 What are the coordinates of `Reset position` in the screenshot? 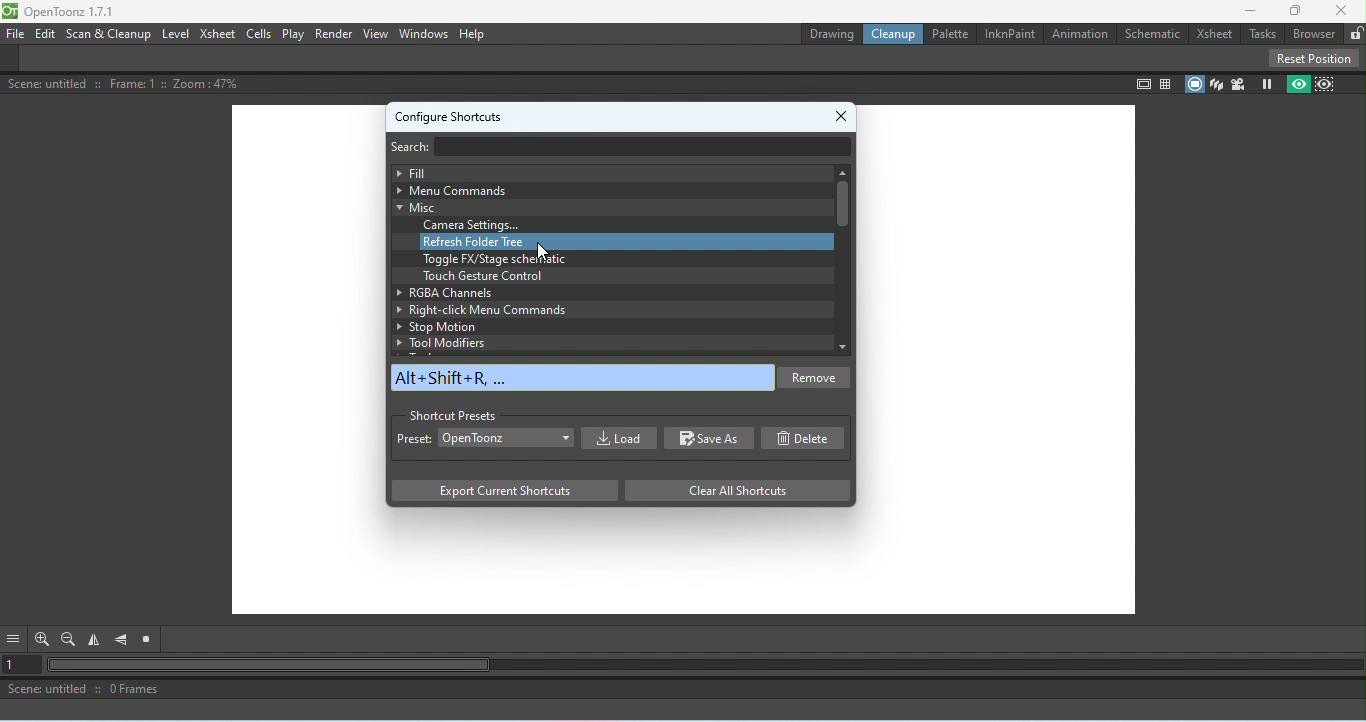 It's located at (1313, 57).